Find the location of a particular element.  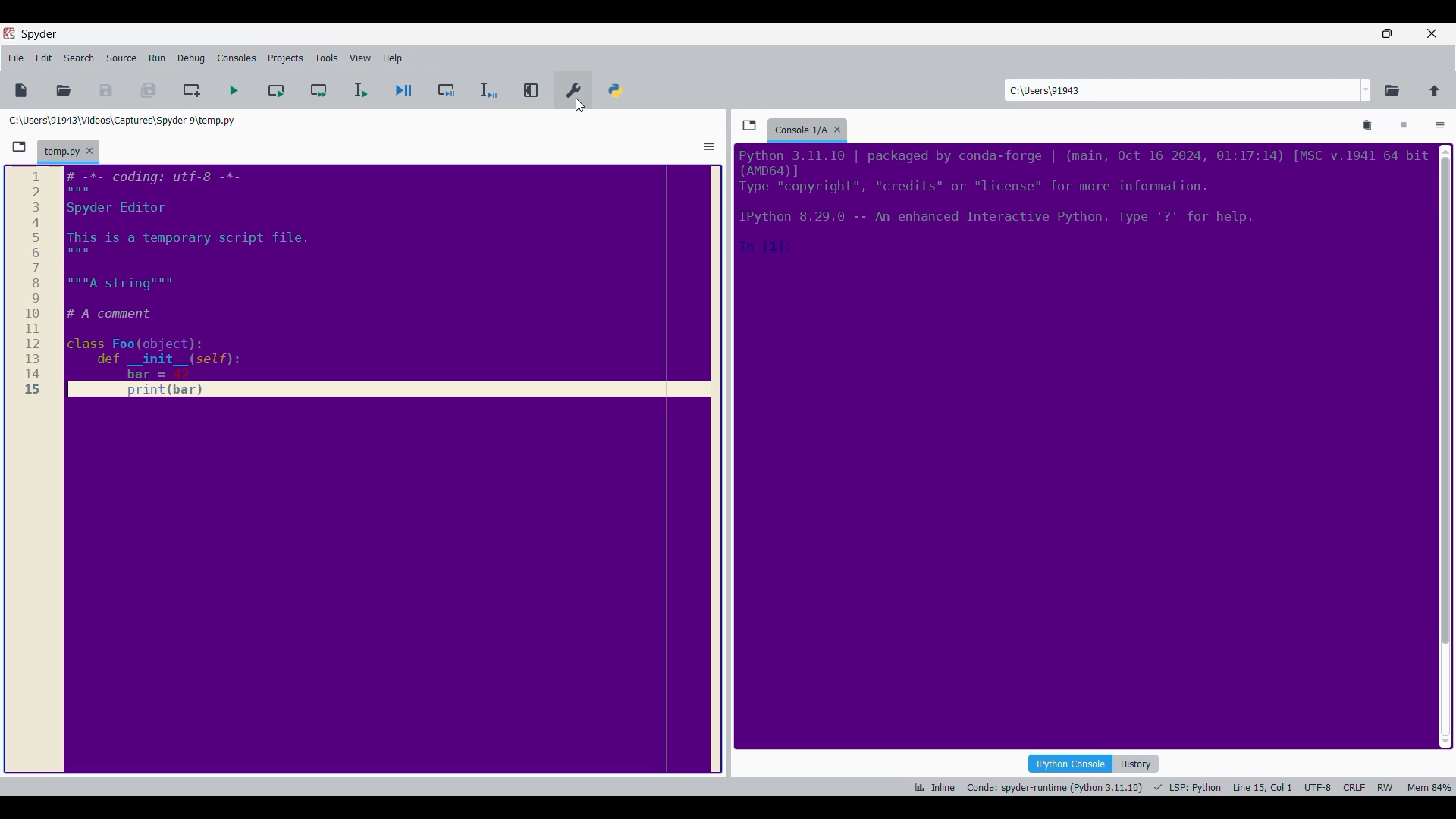

Enter location is located at coordinates (1182, 90).